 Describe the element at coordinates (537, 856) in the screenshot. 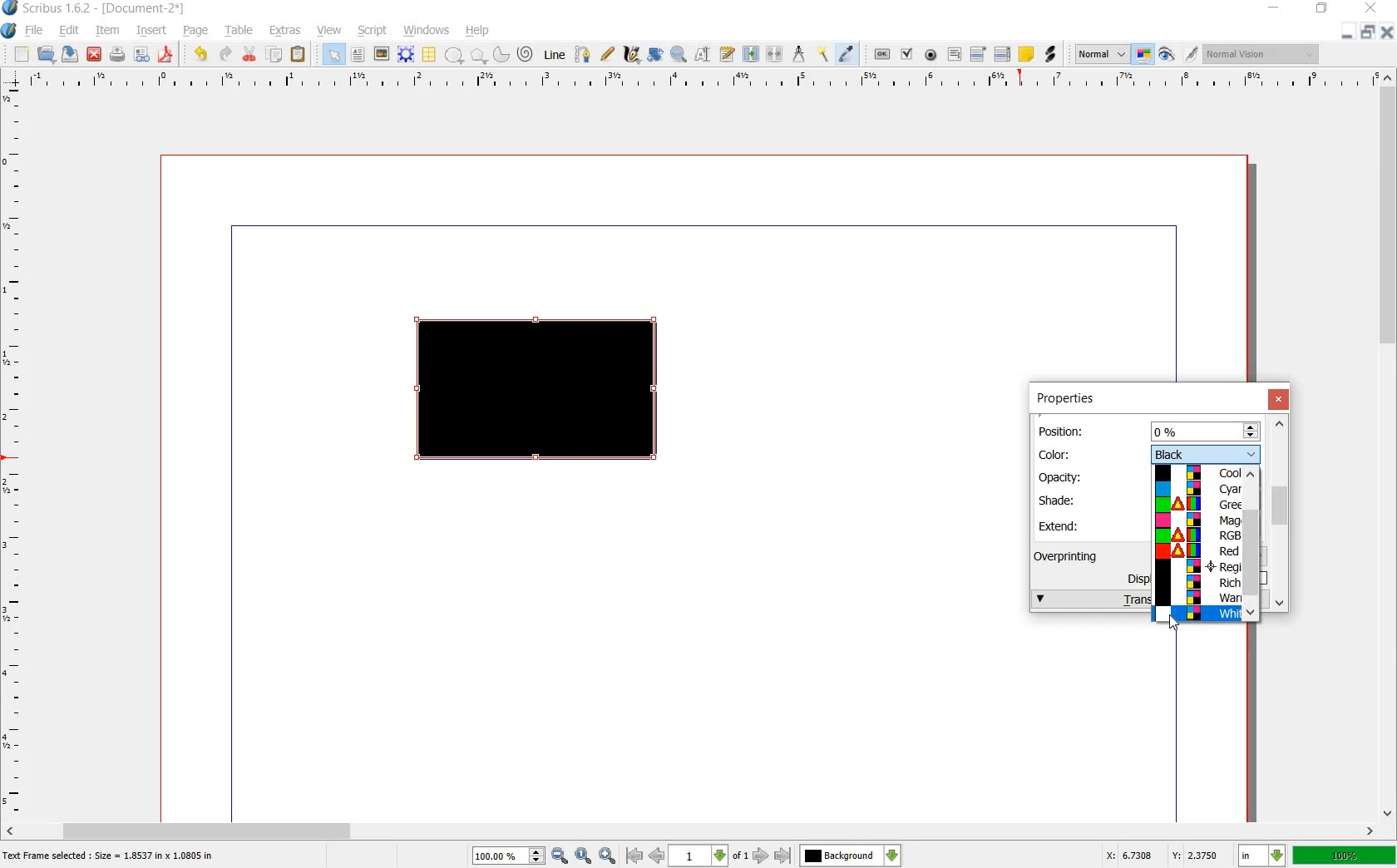

I see `Increase or decrease zoom value` at that location.